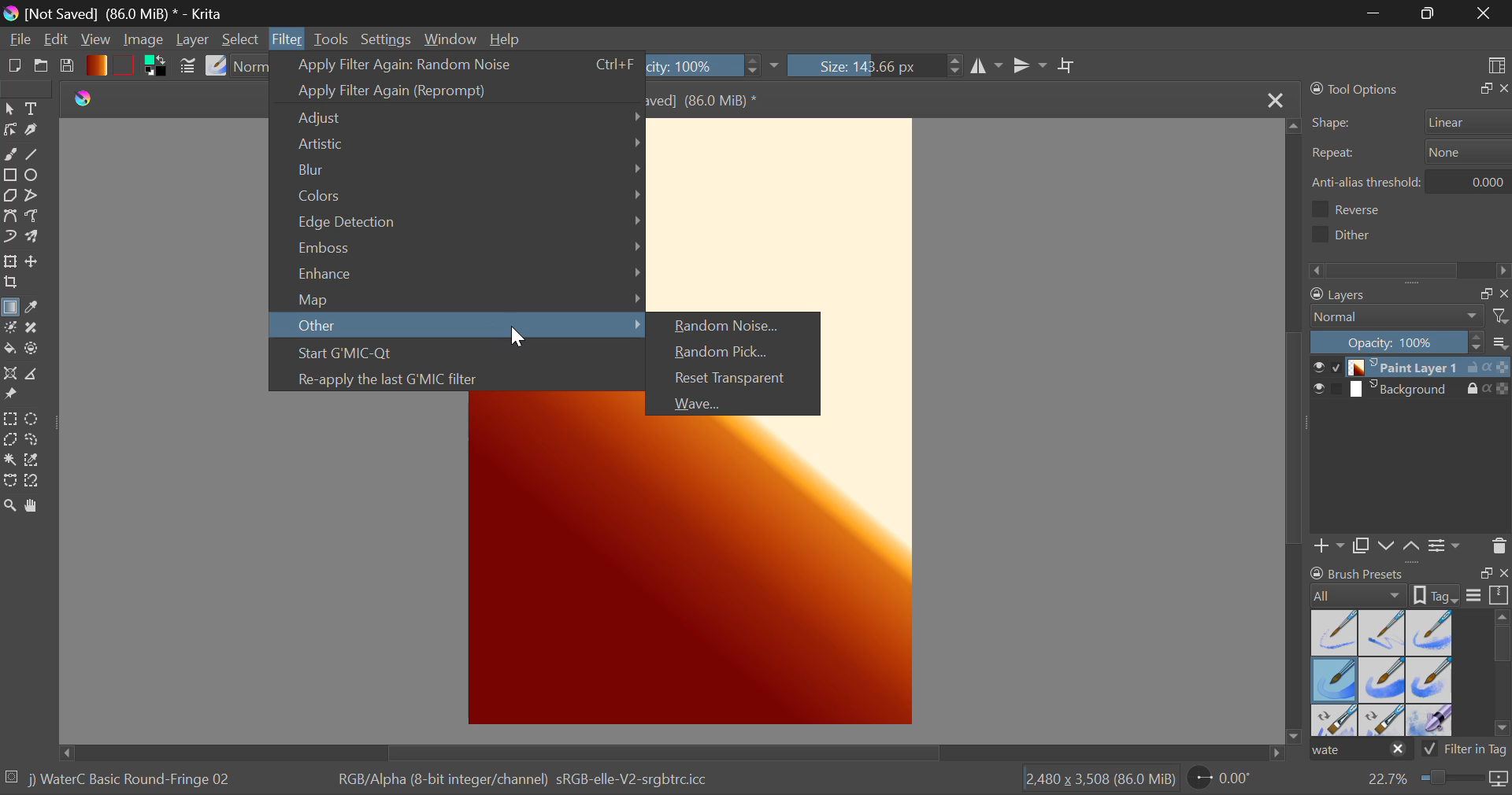  Describe the element at coordinates (1428, 13) in the screenshot. I see `Minimize` at that location.